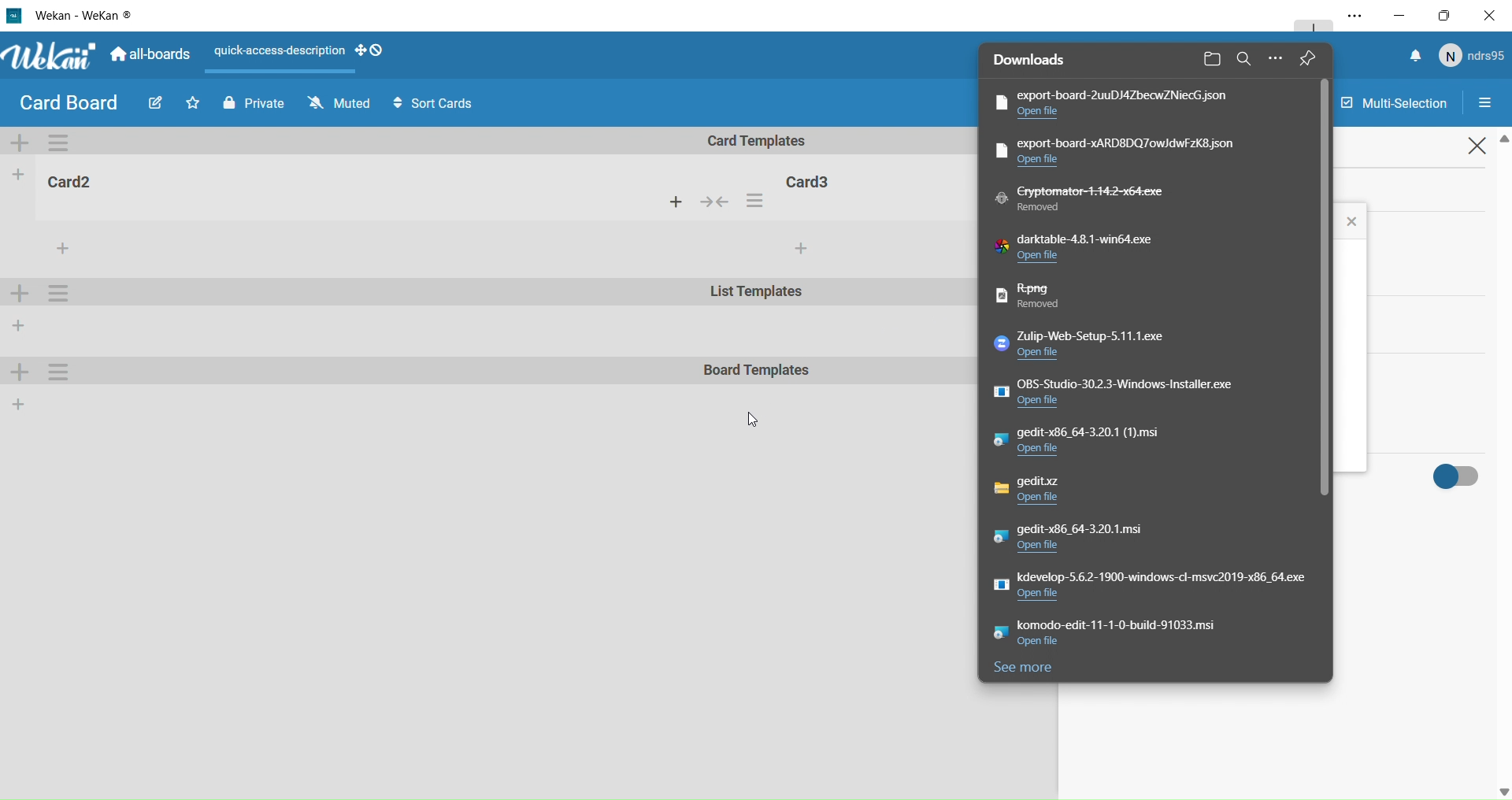 The width and height of the screenshot is (1512, 800). Describe the element at coordinates (1318, 58) in the screenshot. I see `pin` at that location.